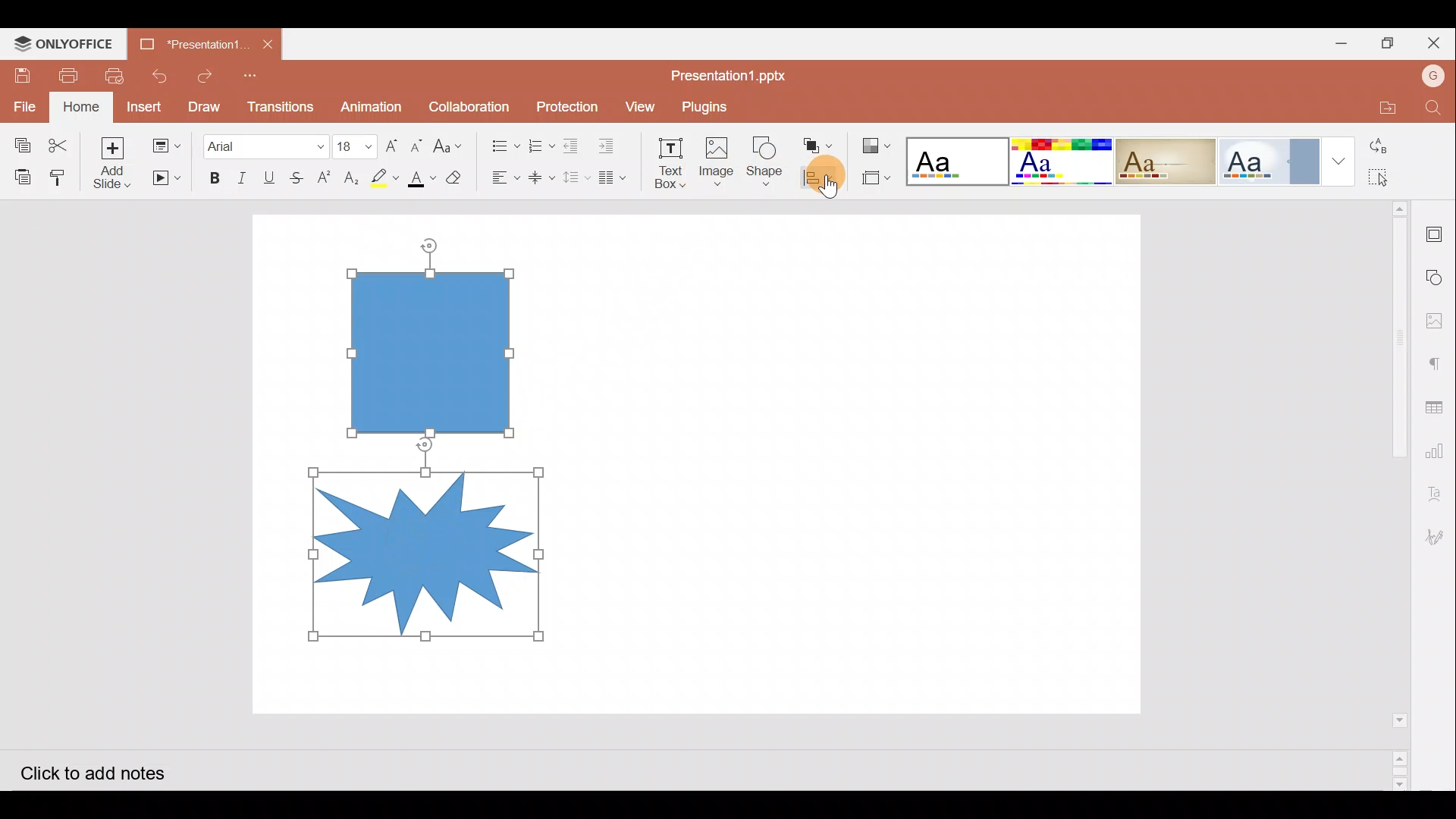  What do you see at coordinates (664, 158) in the screenshot?
I see `Insert text box` at bounding box center [664, 158].